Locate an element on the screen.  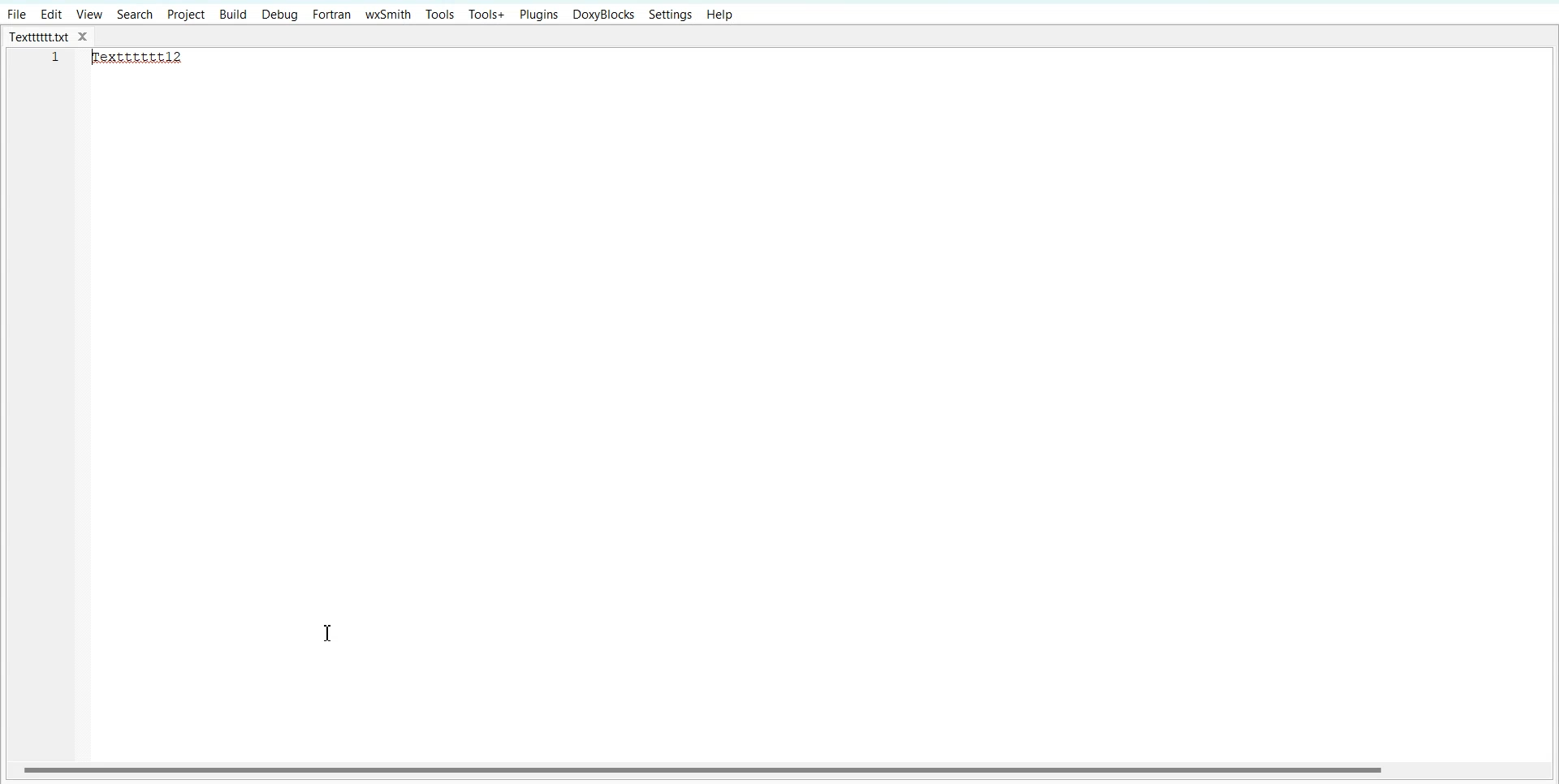
Settings is located at coordinates (671, 15).